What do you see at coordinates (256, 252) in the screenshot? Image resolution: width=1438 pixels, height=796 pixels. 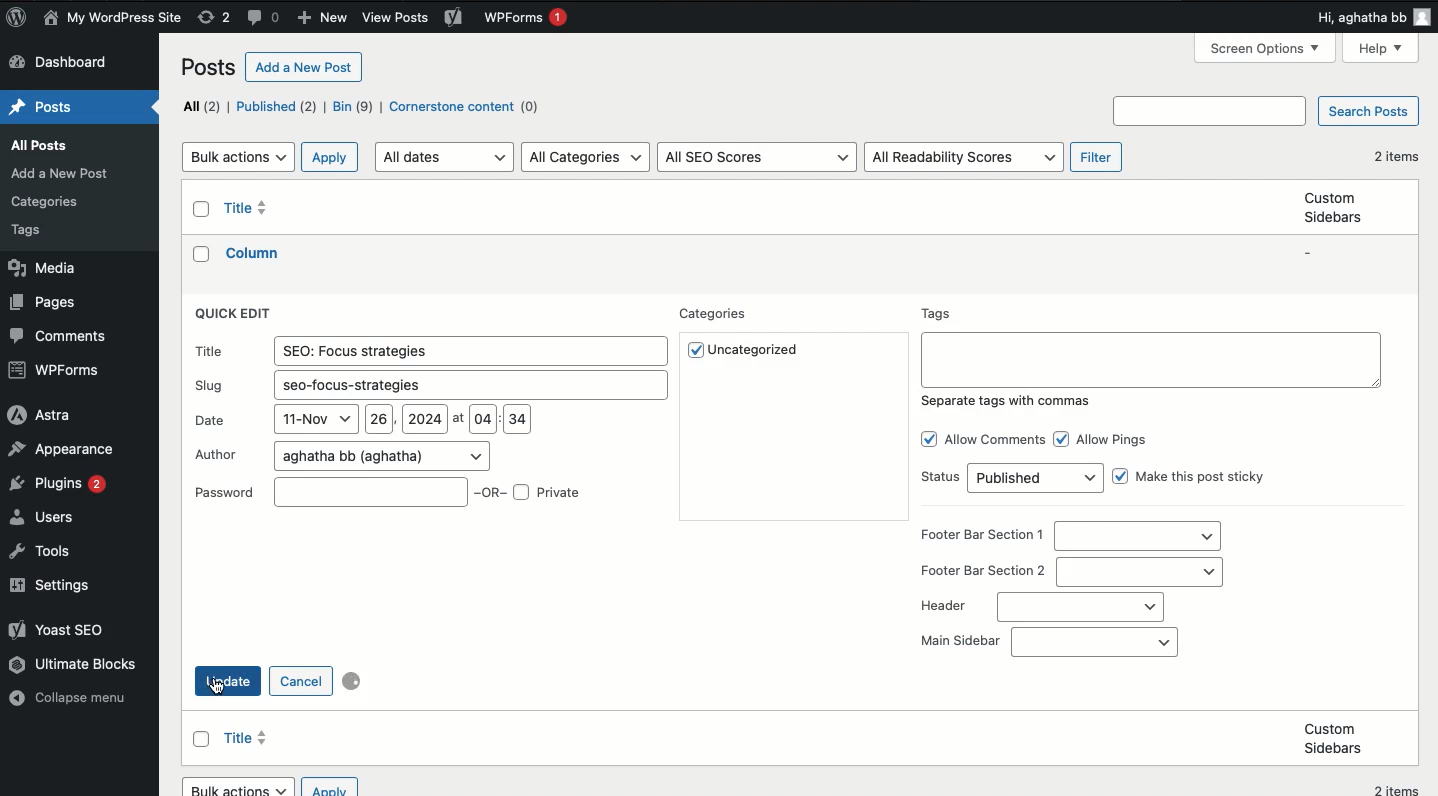 I see `Title` at bounding box center [256, 252].